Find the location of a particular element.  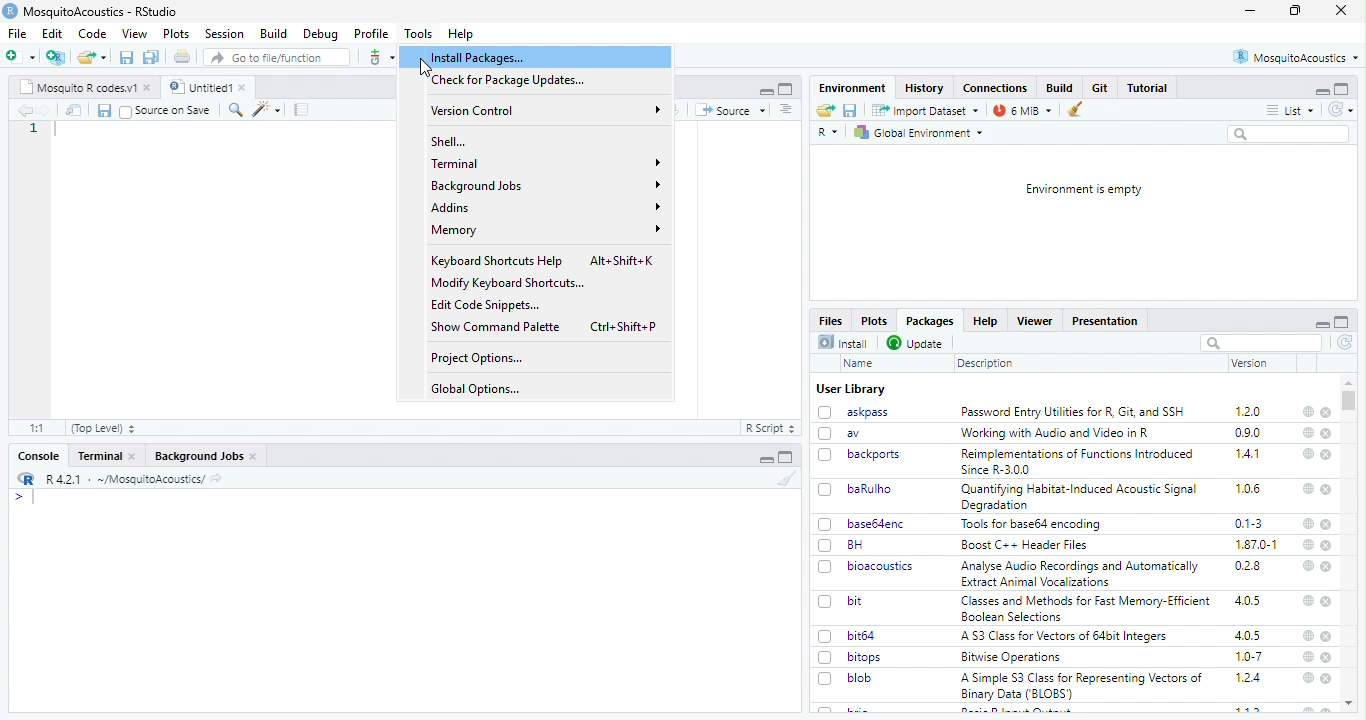

clean is located at coordinates (1075, 110).